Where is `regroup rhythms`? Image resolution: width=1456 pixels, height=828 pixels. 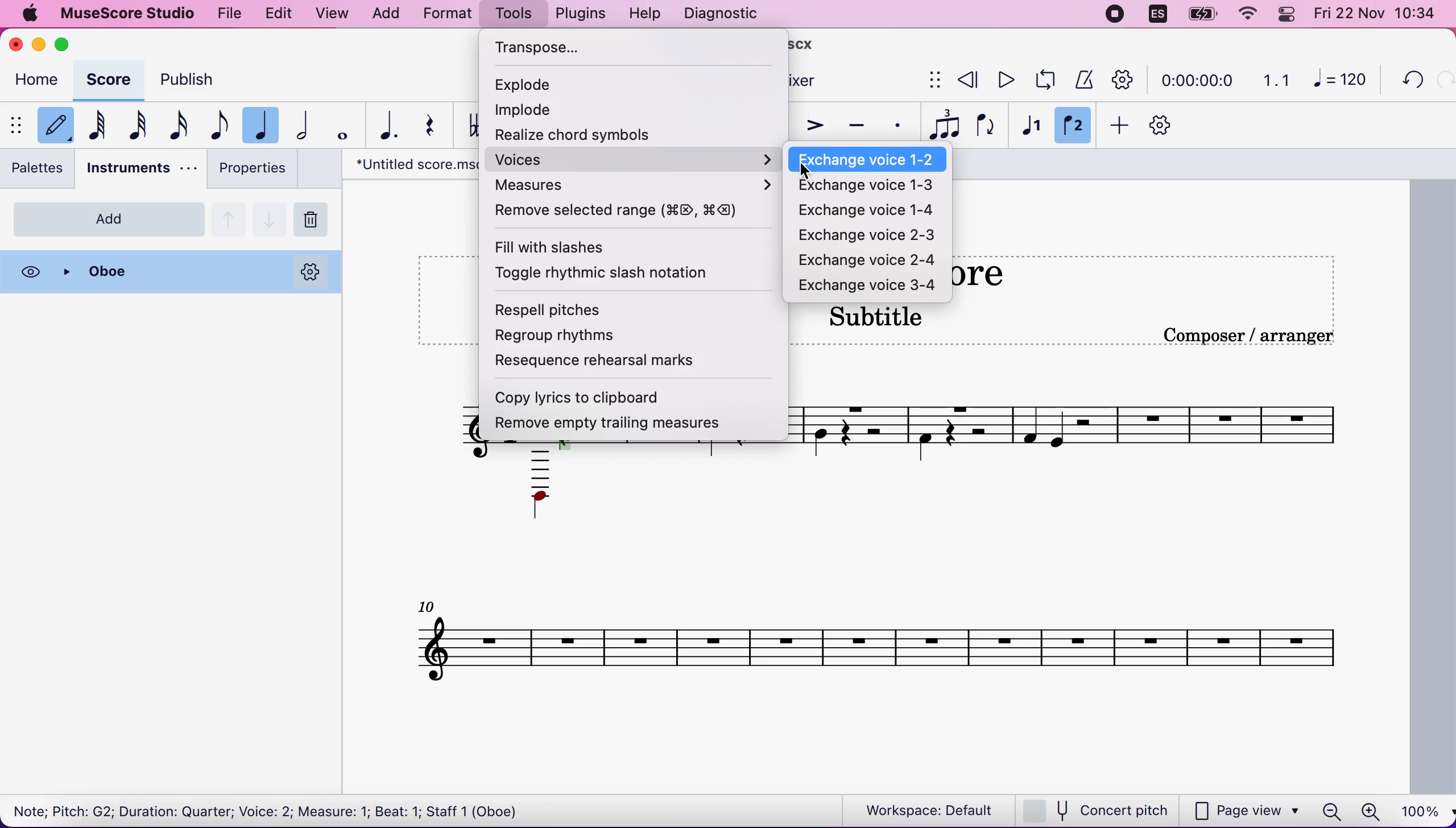
regroup rhythms is located at coordinates (577, 336).